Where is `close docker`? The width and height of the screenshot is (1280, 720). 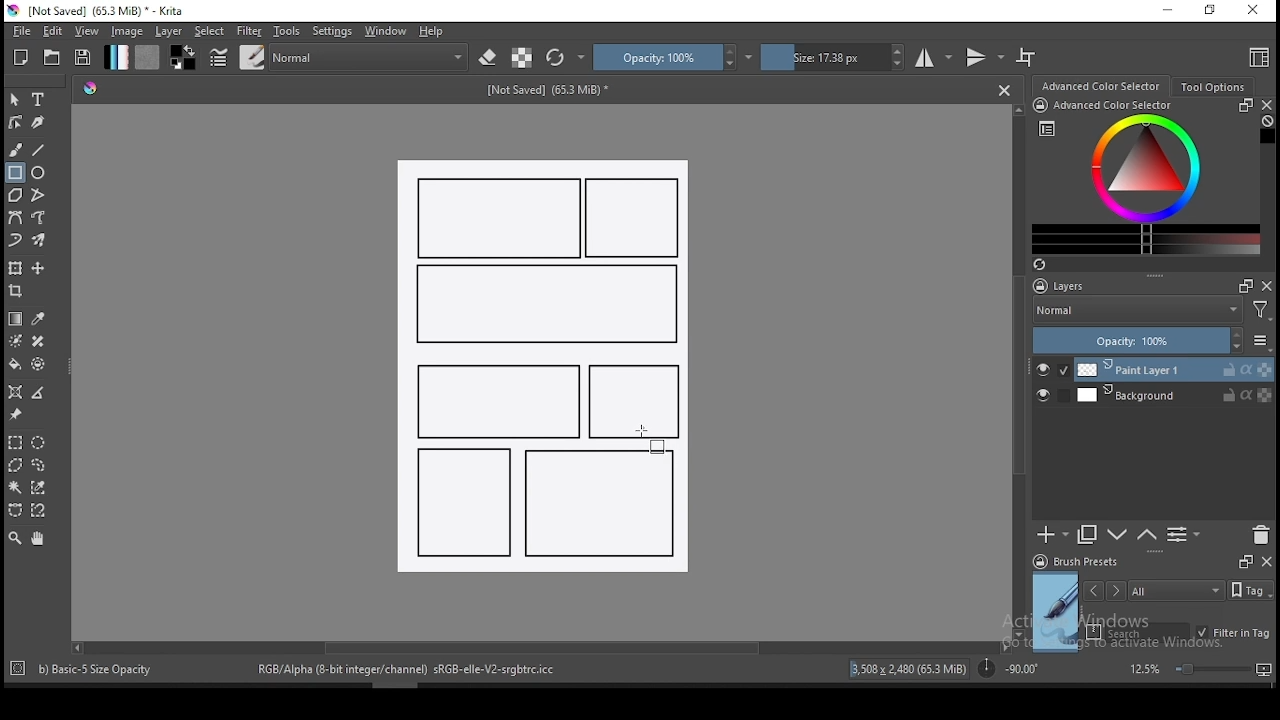 close docker is located at coordinates (1267, 285).